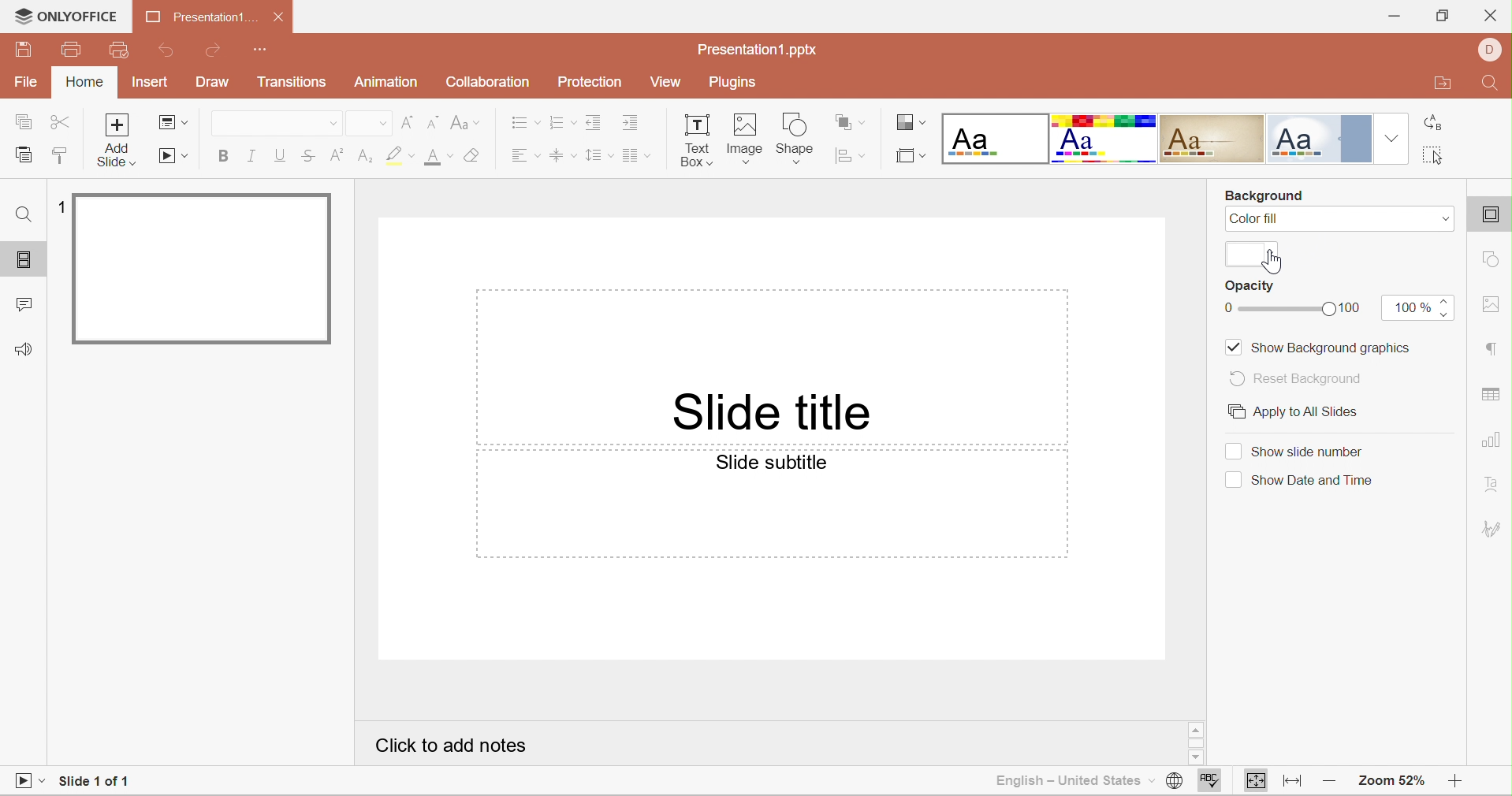  What do you see at coordinates (1298, 481) in the screenshot?
I see `Show date and time` at bounding box center [1298, 481].